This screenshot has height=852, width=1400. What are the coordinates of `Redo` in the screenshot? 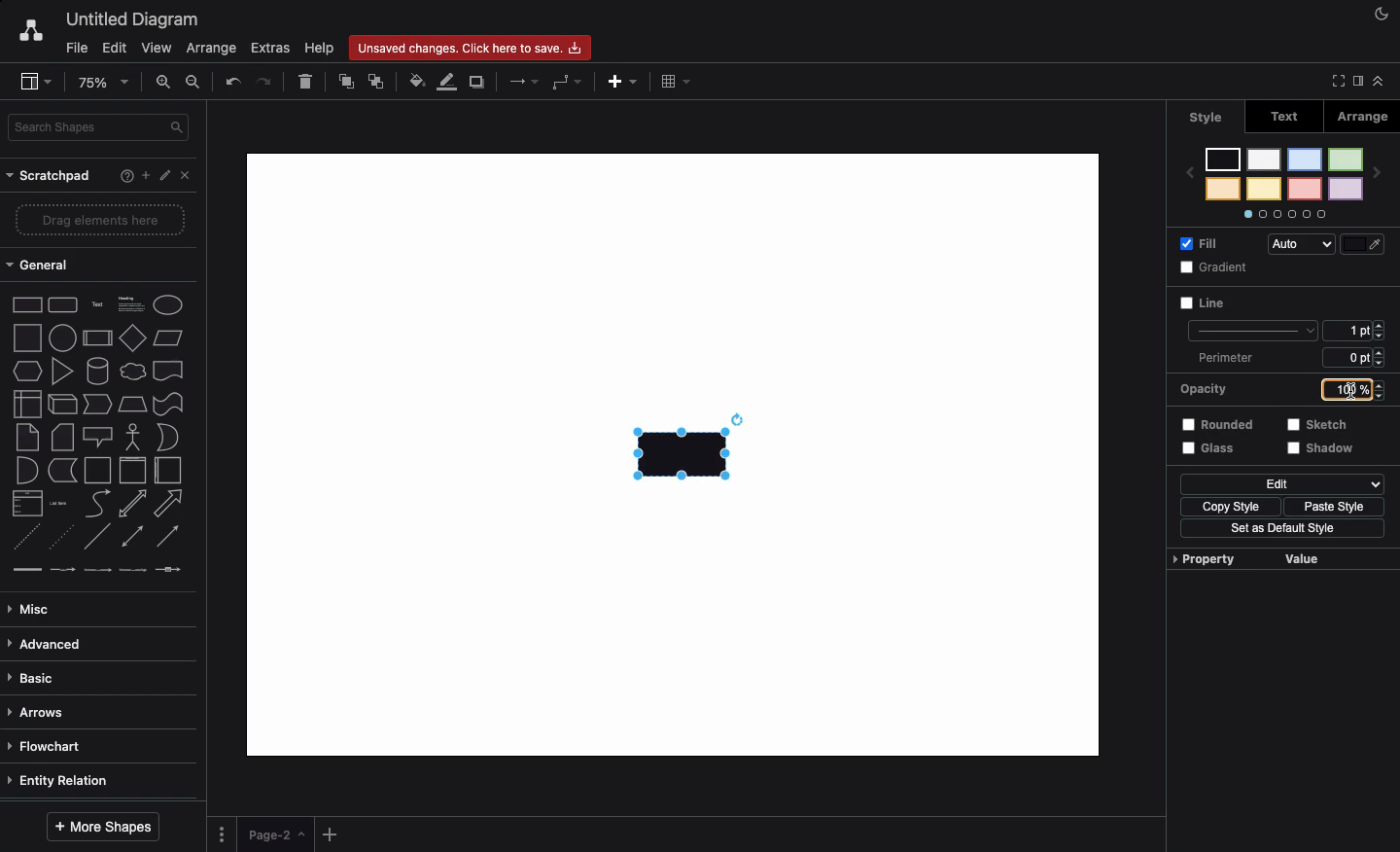 It's located at (266, 85).